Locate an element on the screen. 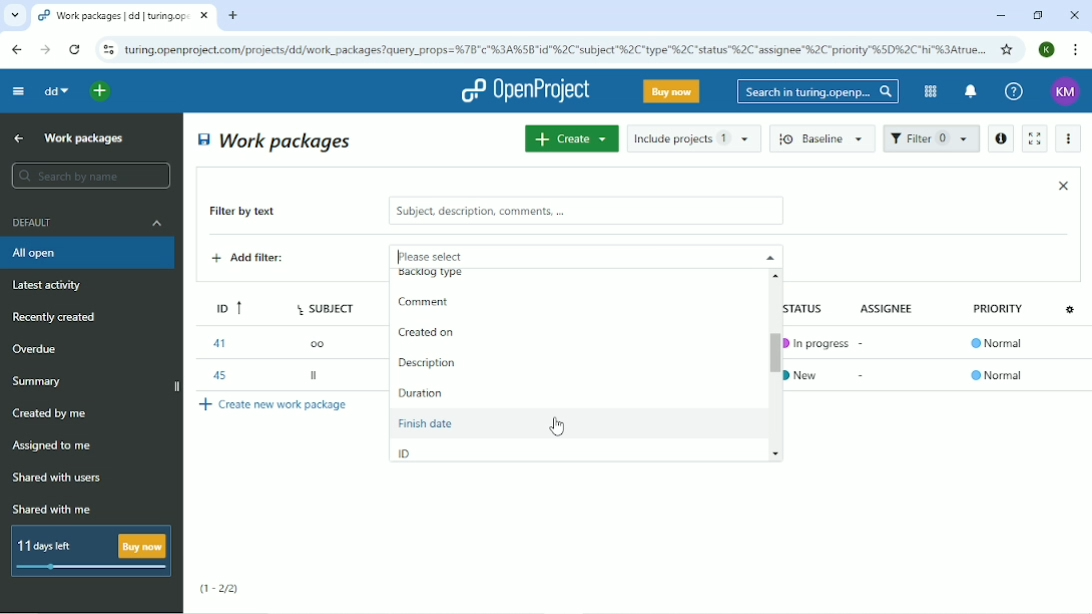 Image resolution: width=1092 pixels, height=614 pixels. Default is located at coordinates (89, 222).